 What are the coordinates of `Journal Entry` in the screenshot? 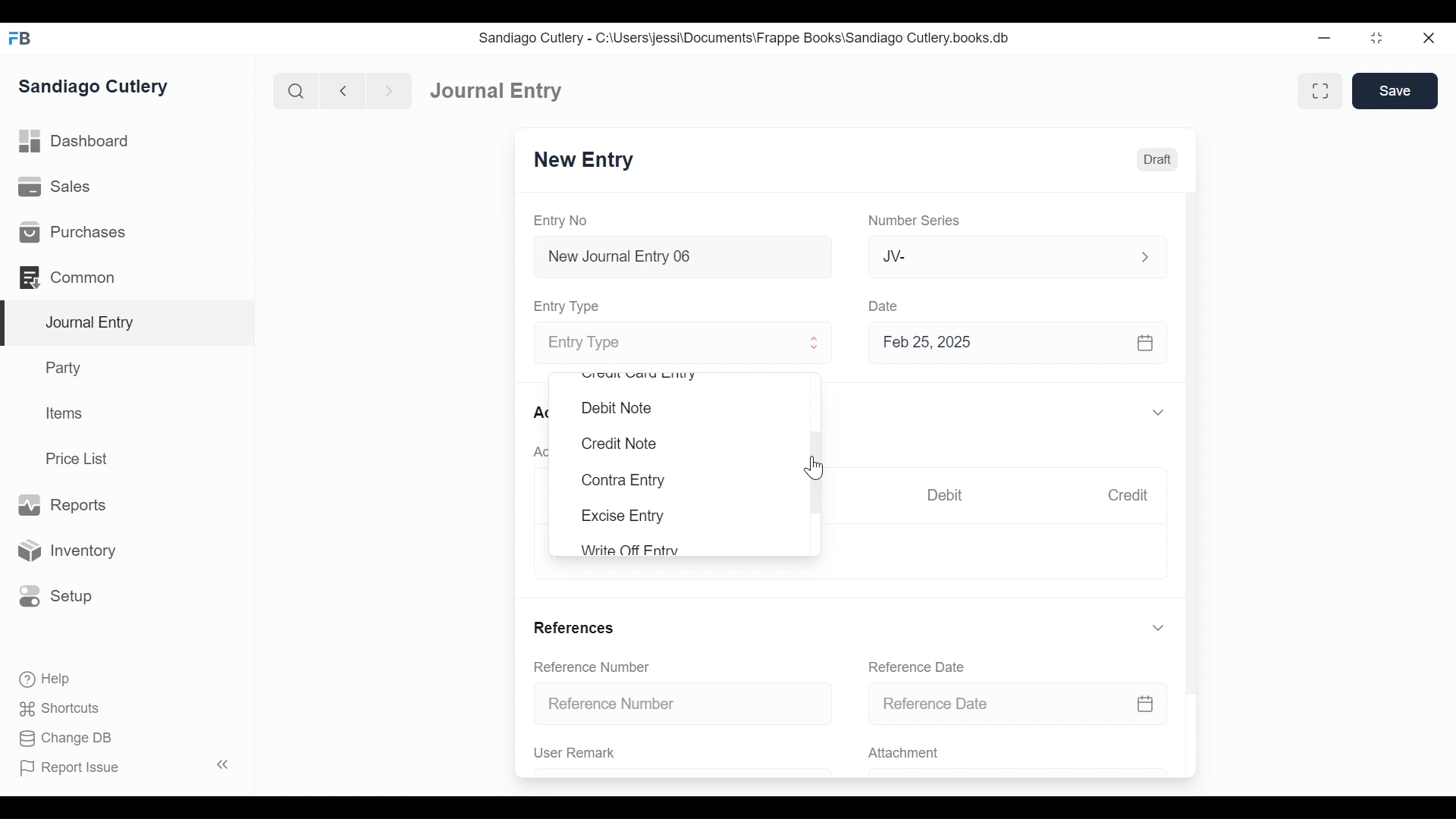 It's located at (497, 89).